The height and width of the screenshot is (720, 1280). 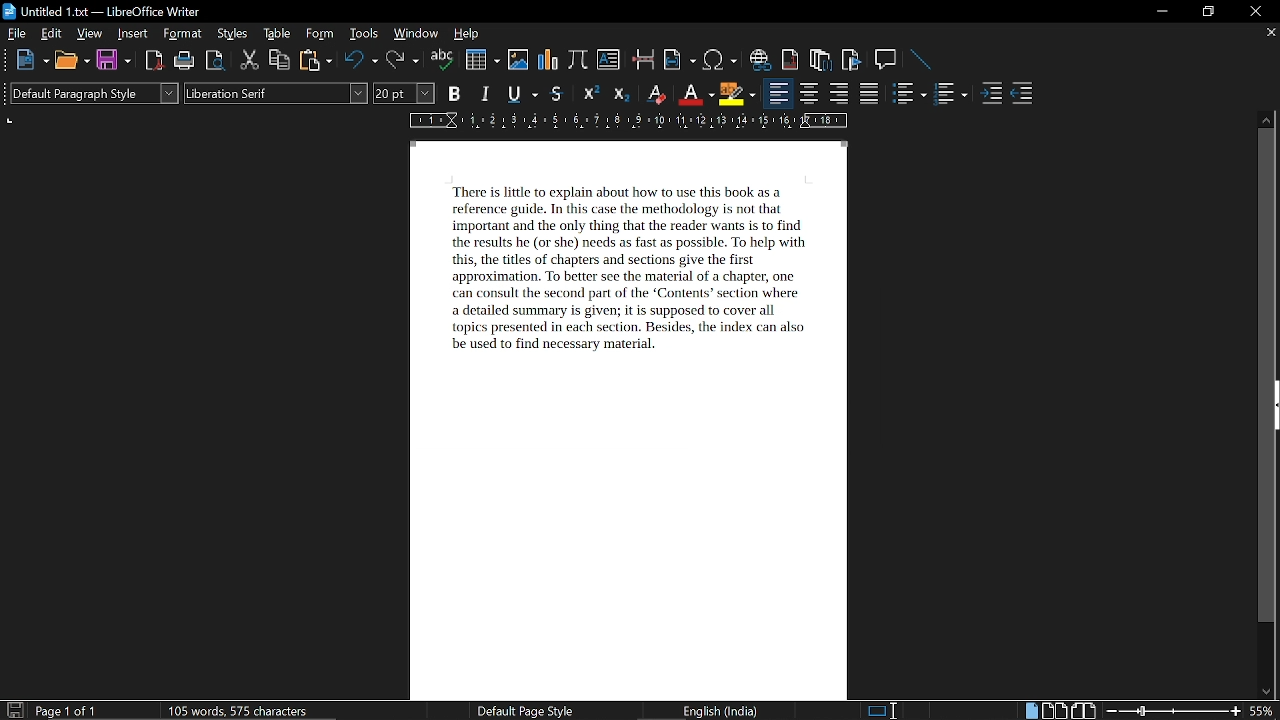 What do you see at coordinates (1054, 711) in the screenshot?
I see `multiple page view` at bounding box center [1054, 711].